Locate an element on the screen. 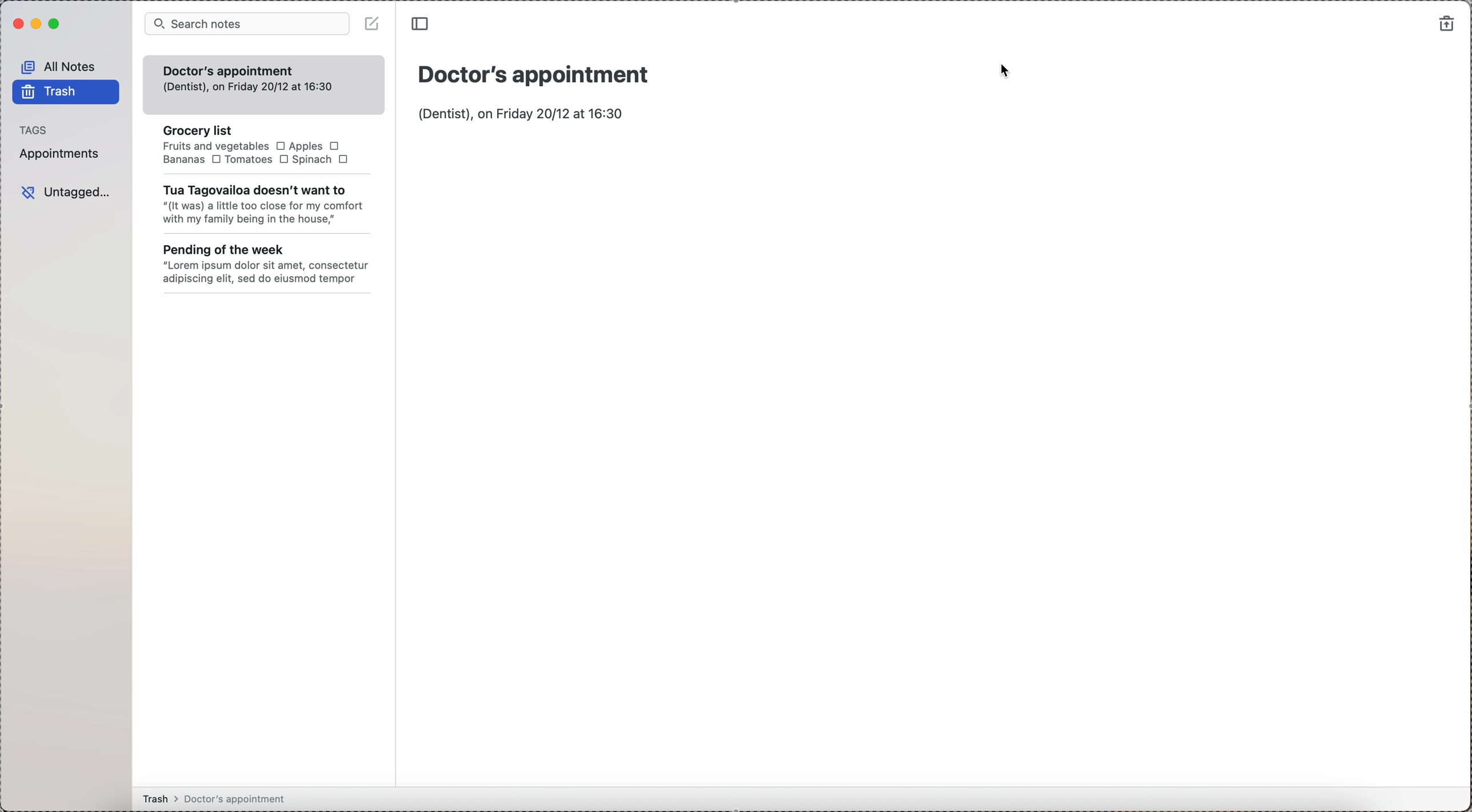  with my family being in the house is located at coordinates (250, 220).